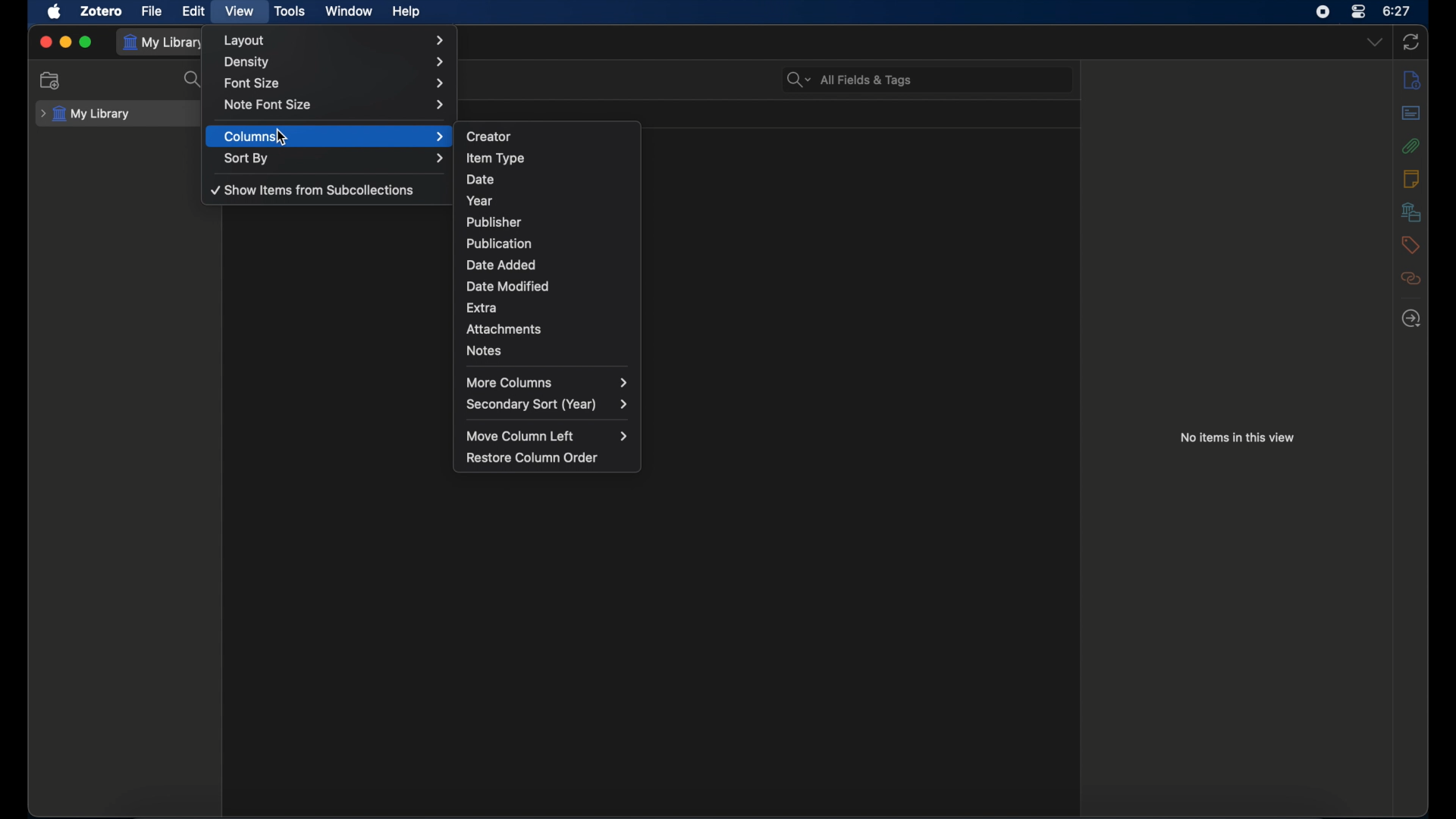 This screenshot has width=1456, height=819. Describe the element at coordinates (505, 328) in the screenshot. I see `attachments` at that location.